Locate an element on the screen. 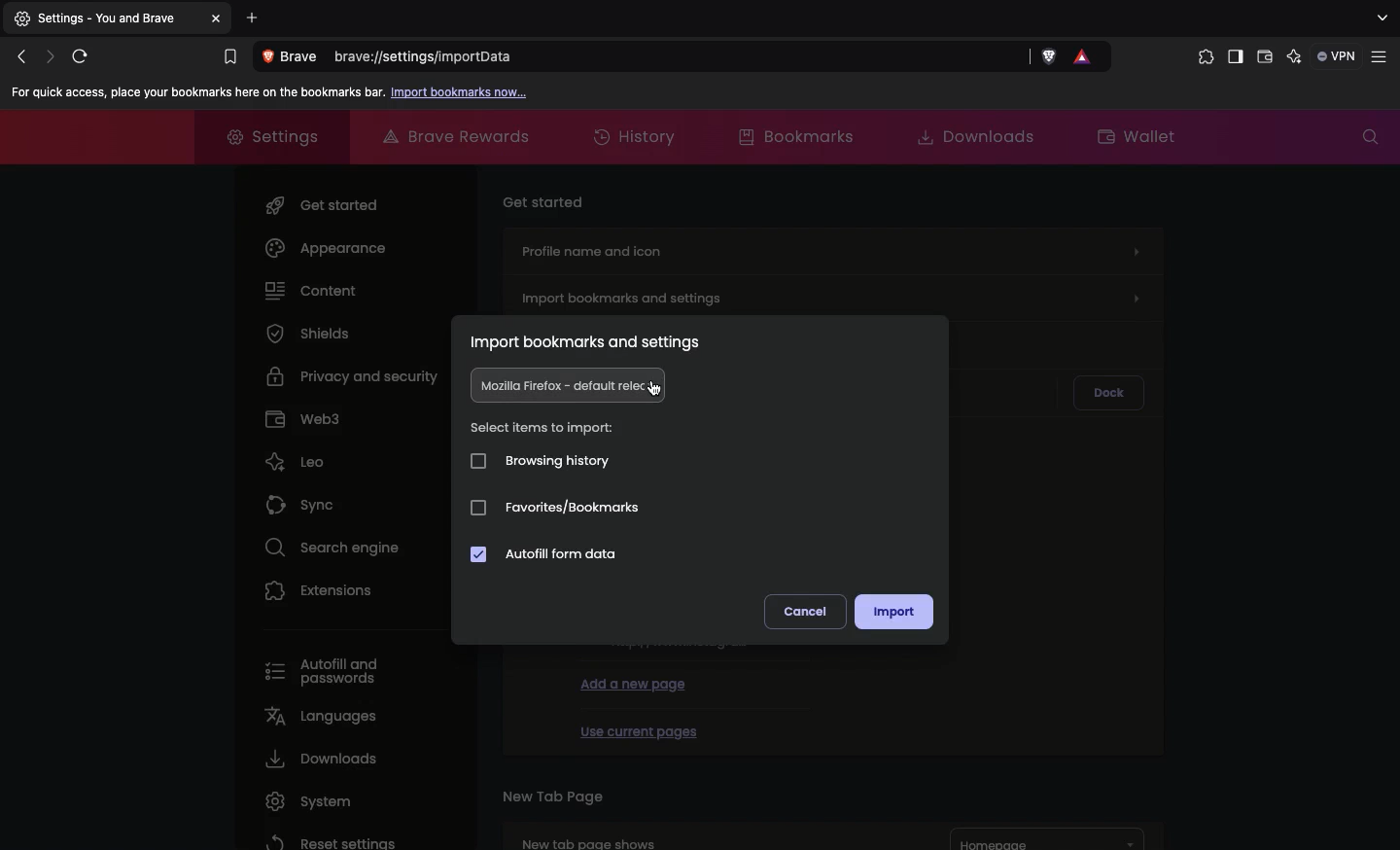 Image resolution: width=1400 pixels, height=850 pixels. Reload this page is located at coordinates (85, 55).